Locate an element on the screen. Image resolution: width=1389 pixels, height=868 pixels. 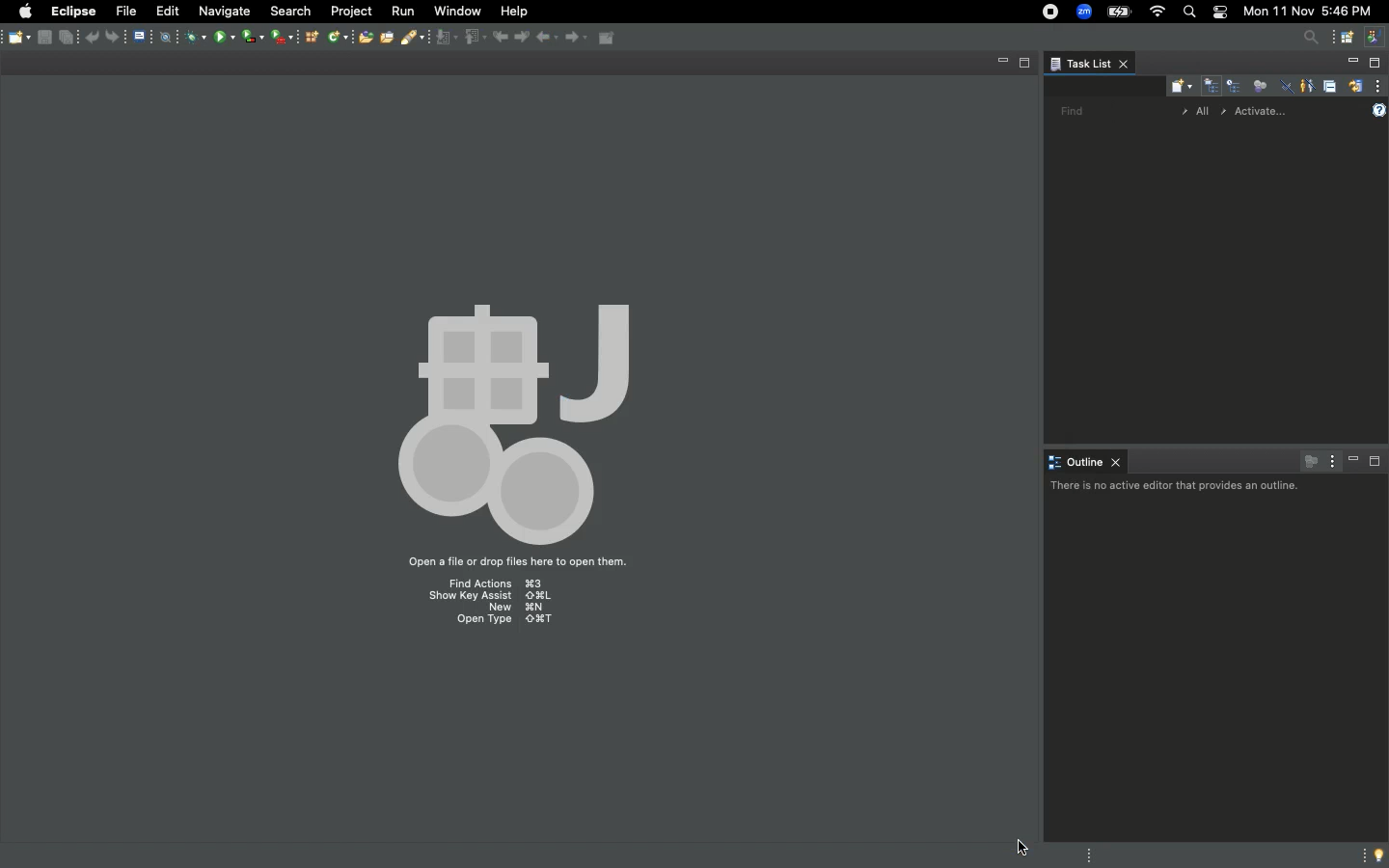
Back/Forward is located at coordinates (508, 37).